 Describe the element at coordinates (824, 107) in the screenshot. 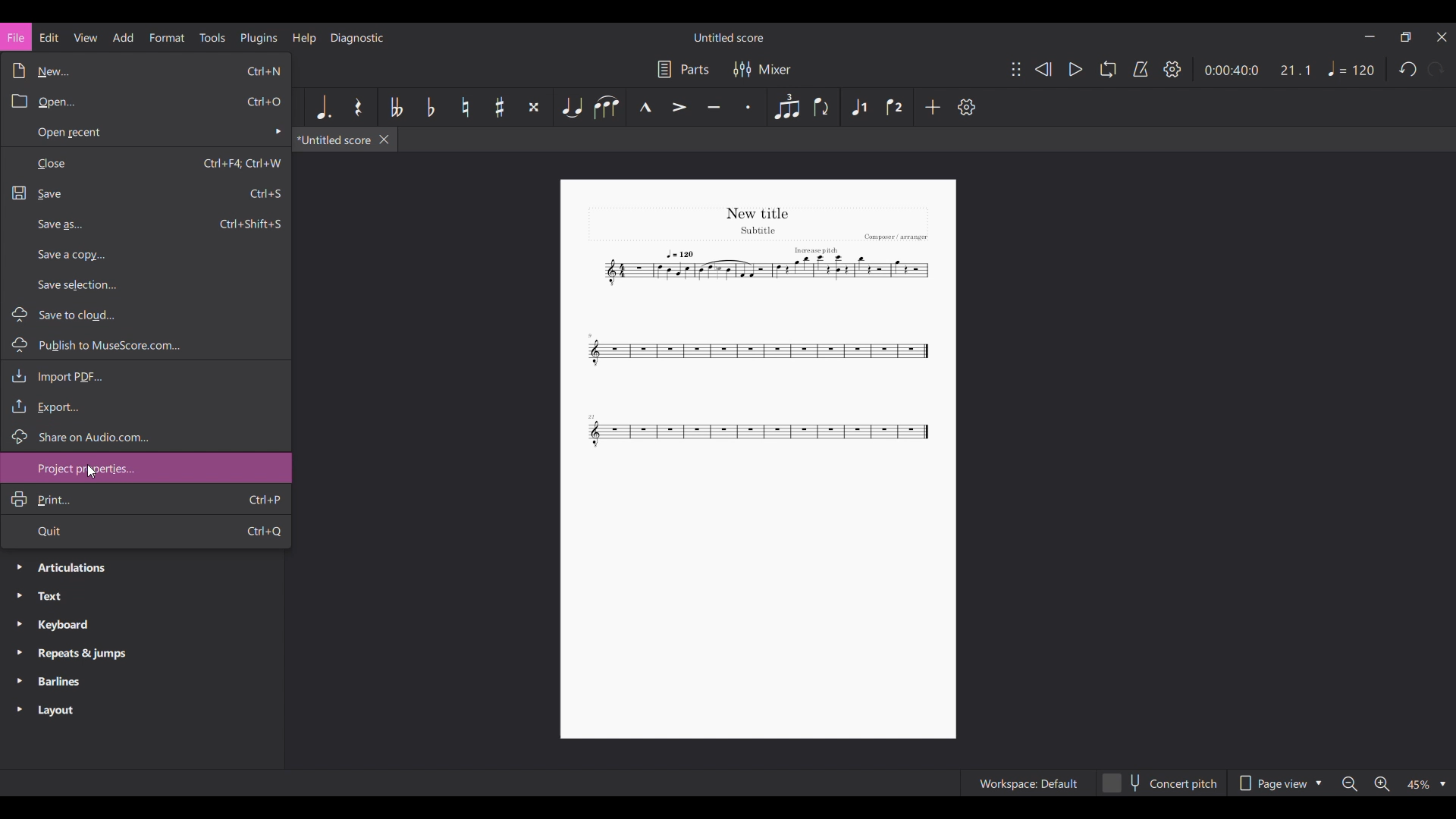

I see `Flip direction` at that location.